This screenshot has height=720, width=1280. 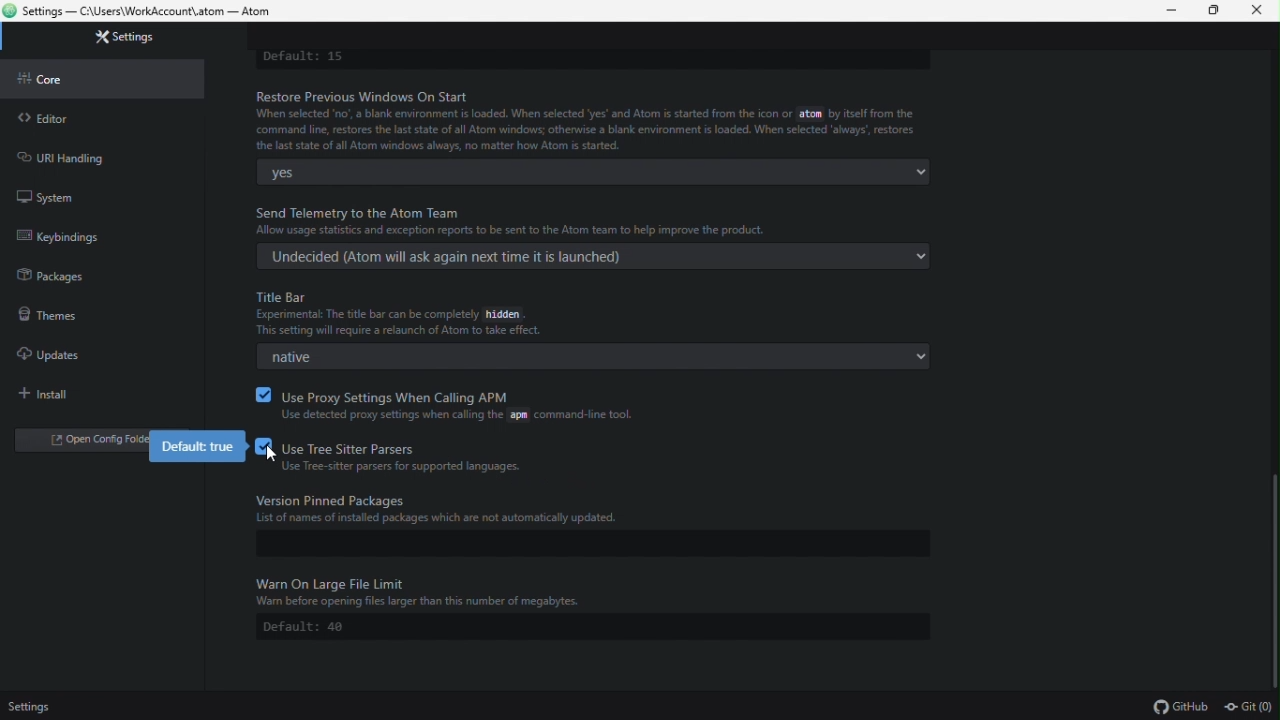 What do you see at coordinates (45, 195) in the screenshot?
I see `system` at bounding box center [45, 195].